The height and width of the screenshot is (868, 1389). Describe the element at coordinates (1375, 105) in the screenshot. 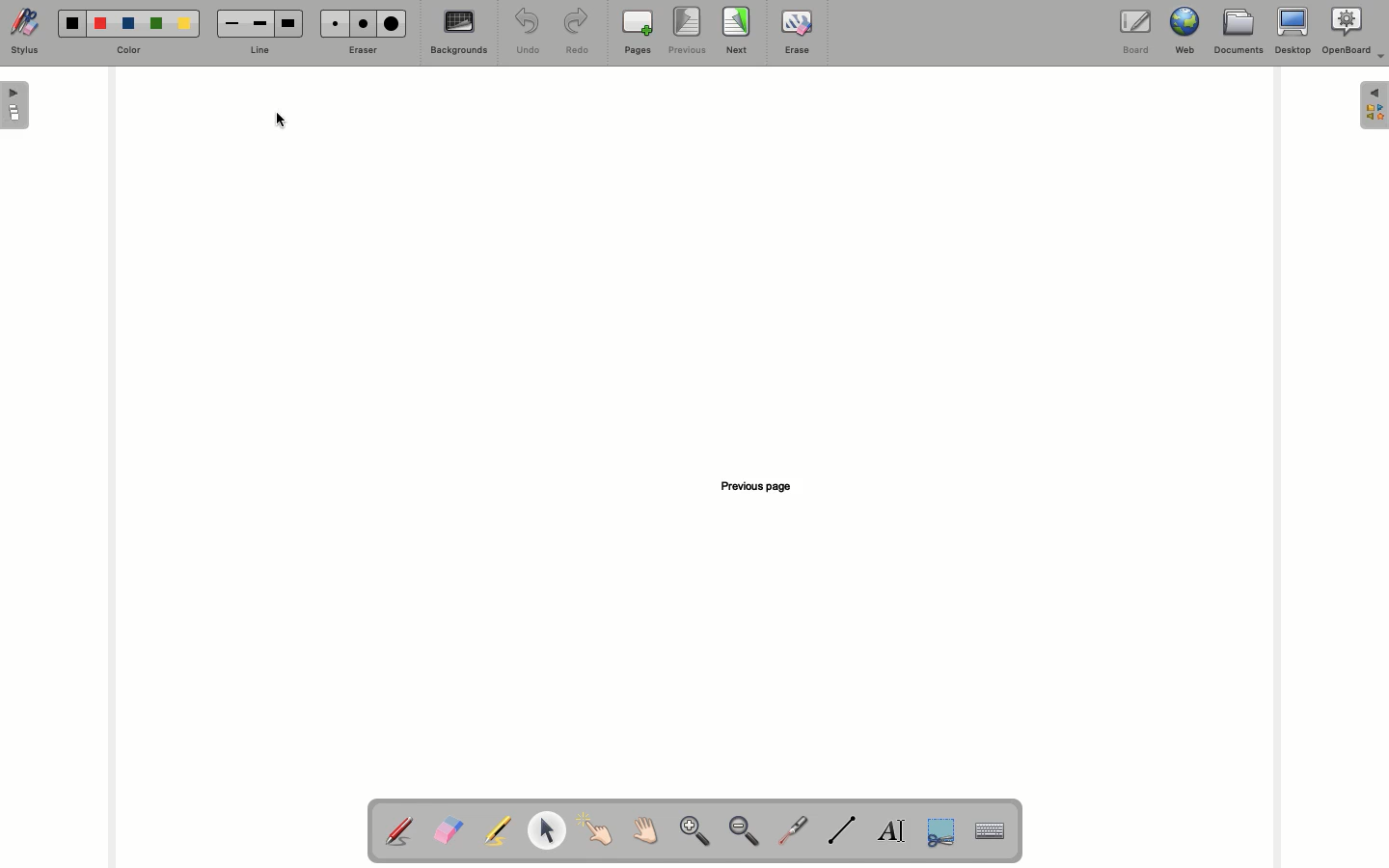

I see `The library (right panel)` at that location.